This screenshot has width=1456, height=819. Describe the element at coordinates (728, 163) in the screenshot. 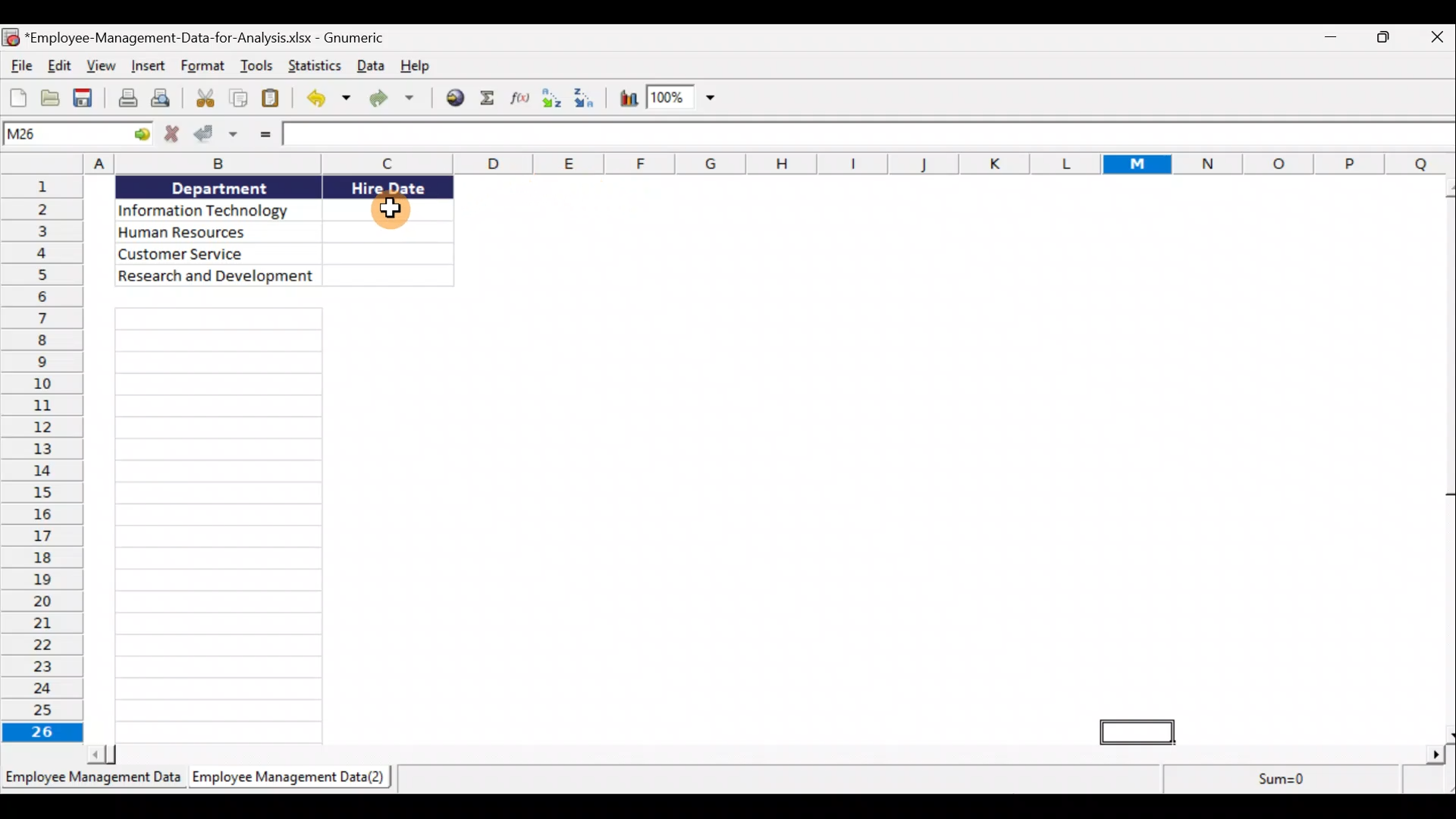

I see `Columns` at that location.